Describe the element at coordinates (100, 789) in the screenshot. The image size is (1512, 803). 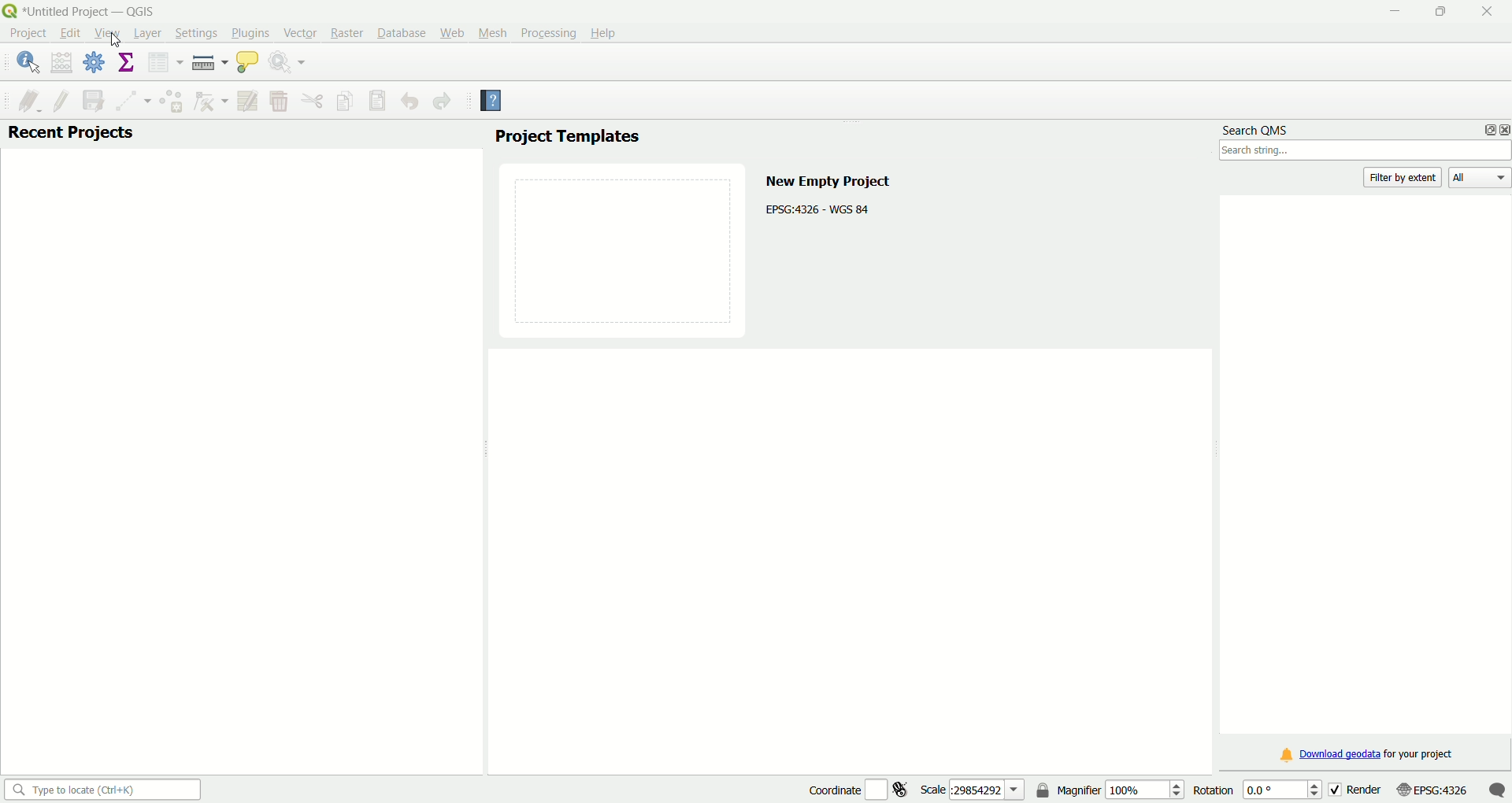
I see `search bar` at that location.